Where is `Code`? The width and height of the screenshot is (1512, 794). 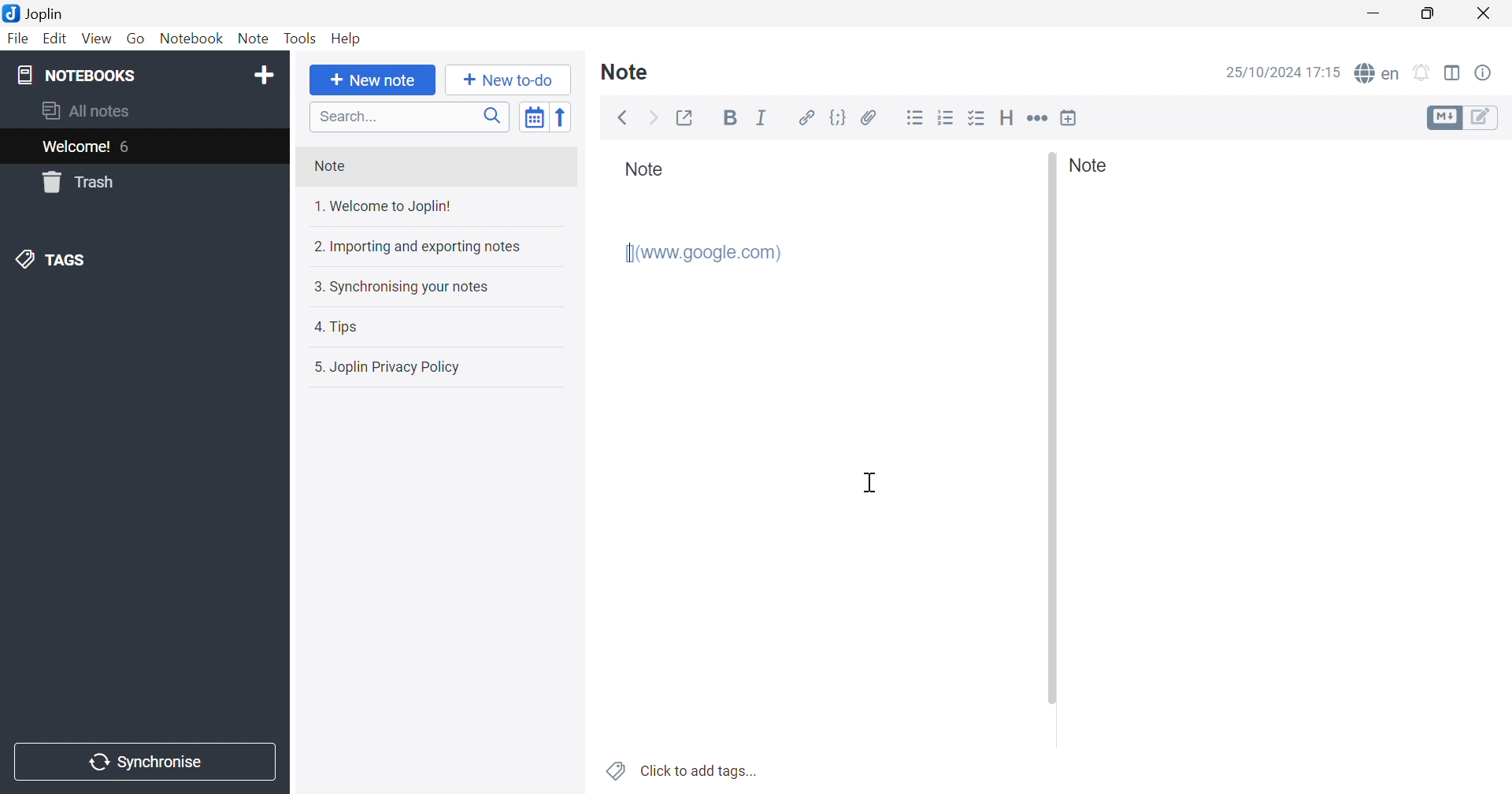 Code is located at coordinates (839, 117).